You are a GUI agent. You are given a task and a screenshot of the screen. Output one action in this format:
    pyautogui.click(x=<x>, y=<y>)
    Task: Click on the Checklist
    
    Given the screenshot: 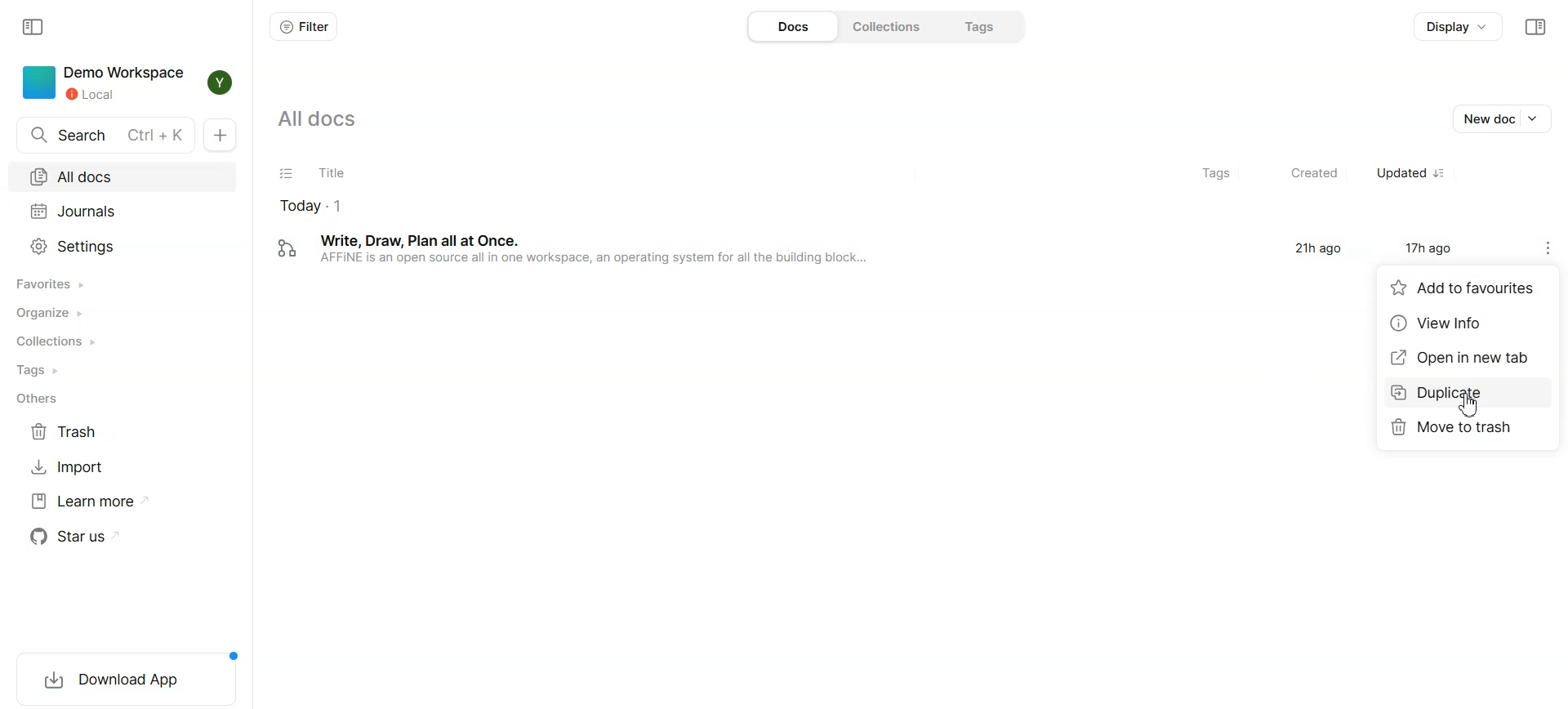 What is the action you would take?
    pyautogui.click(x=286, y=173)
    